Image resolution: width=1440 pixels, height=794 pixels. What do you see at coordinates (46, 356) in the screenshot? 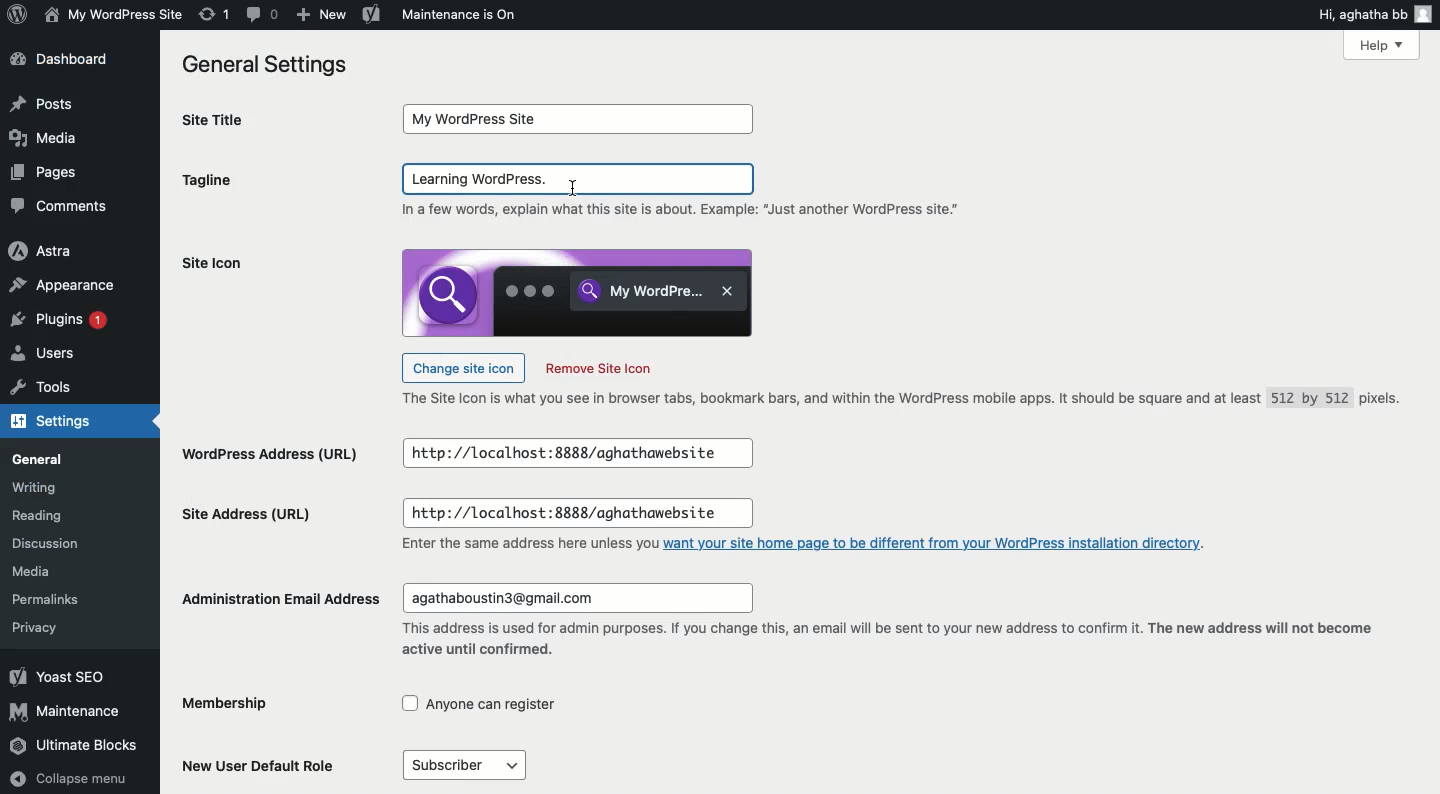
I see `Users` at bounding box center [46, 356].